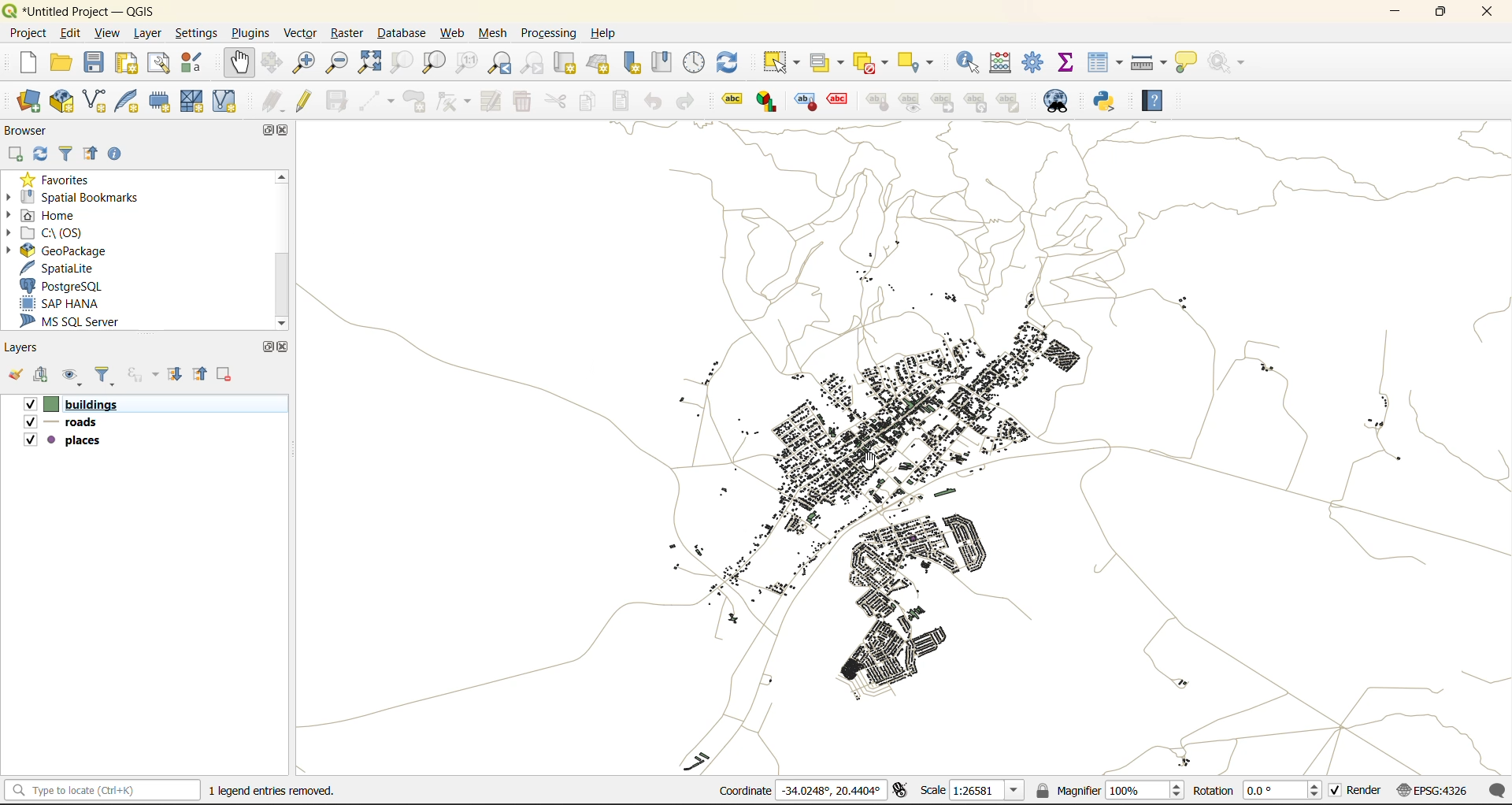  What do you see at coordinates (298, 32) in the screenshot?
I see `vector` at bounding box center [298, 32].